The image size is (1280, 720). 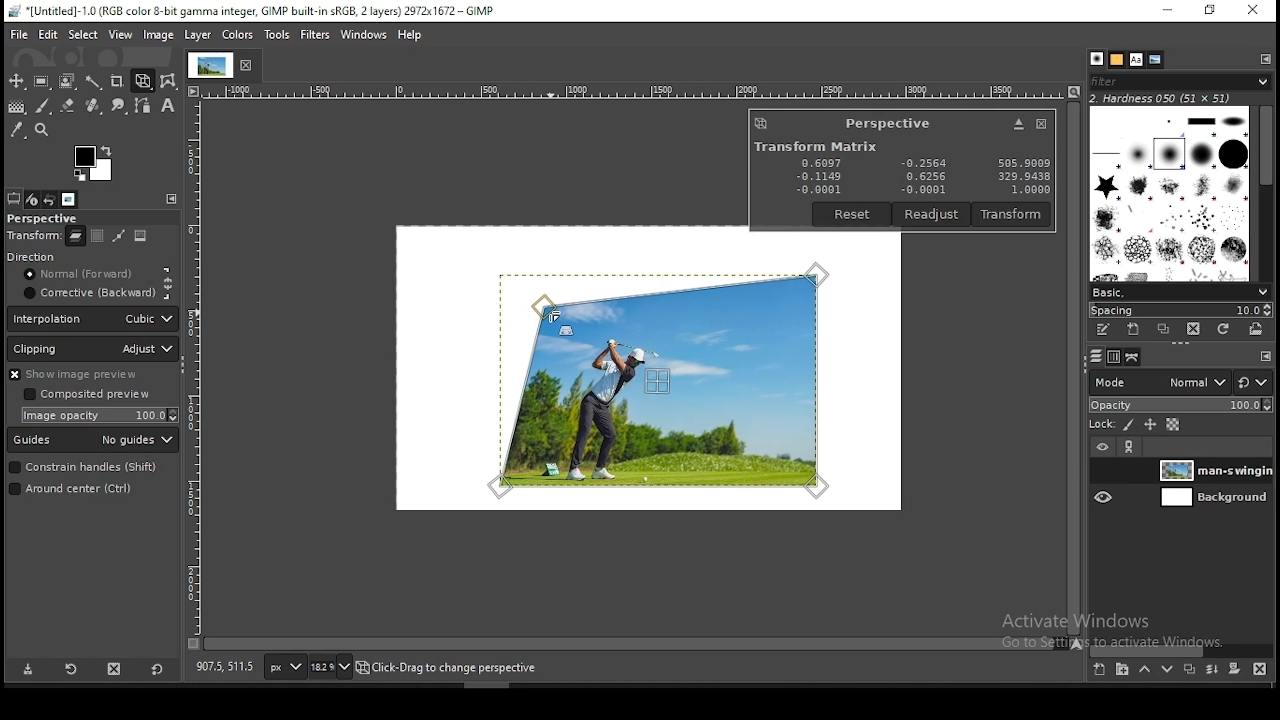 What do you see at coordinates (1112, 358) in the screenshot?
I see `channels` at bounding box center [1112, 358].